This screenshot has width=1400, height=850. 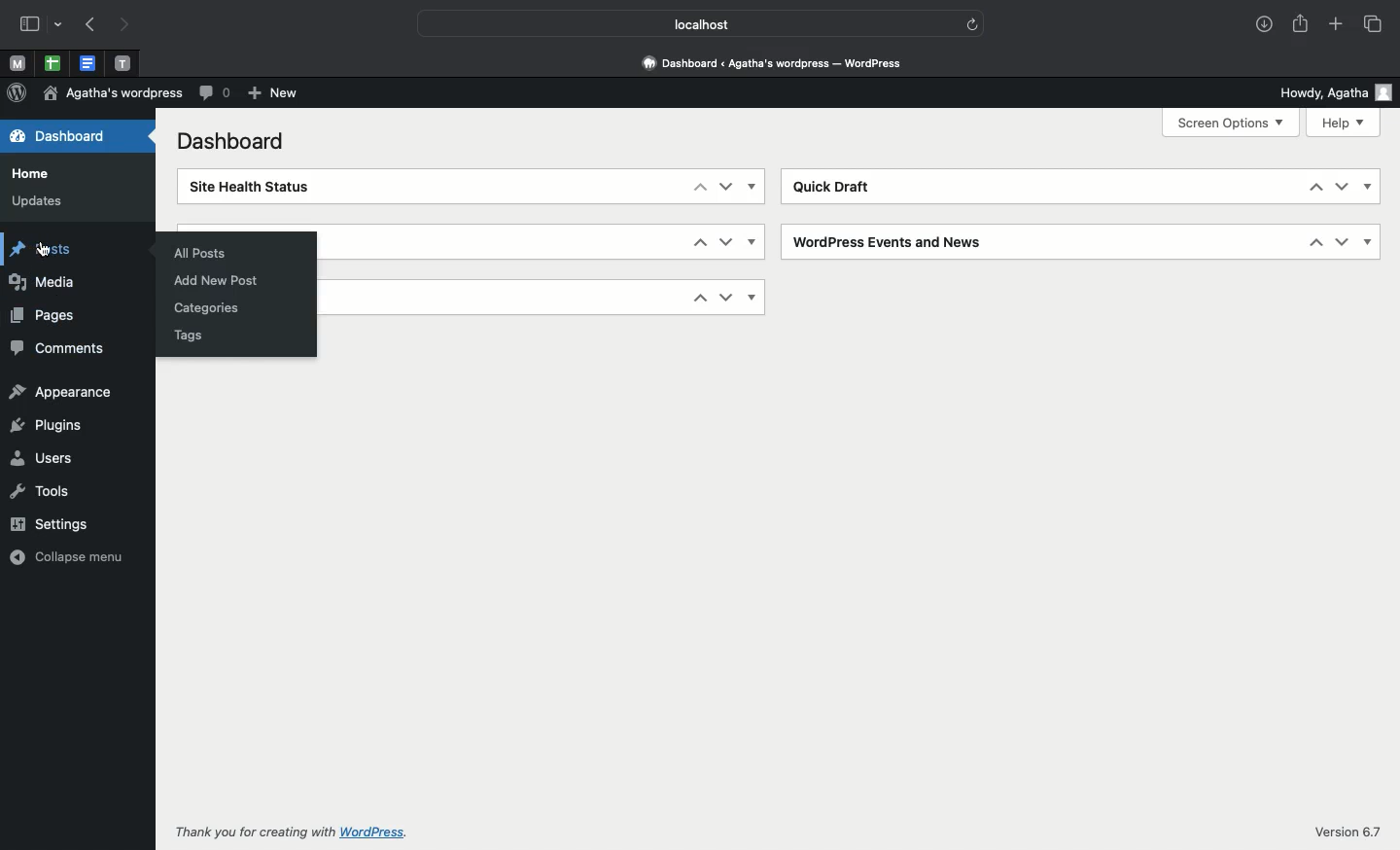 I want to click on Add new, so click(x=272, y=94).